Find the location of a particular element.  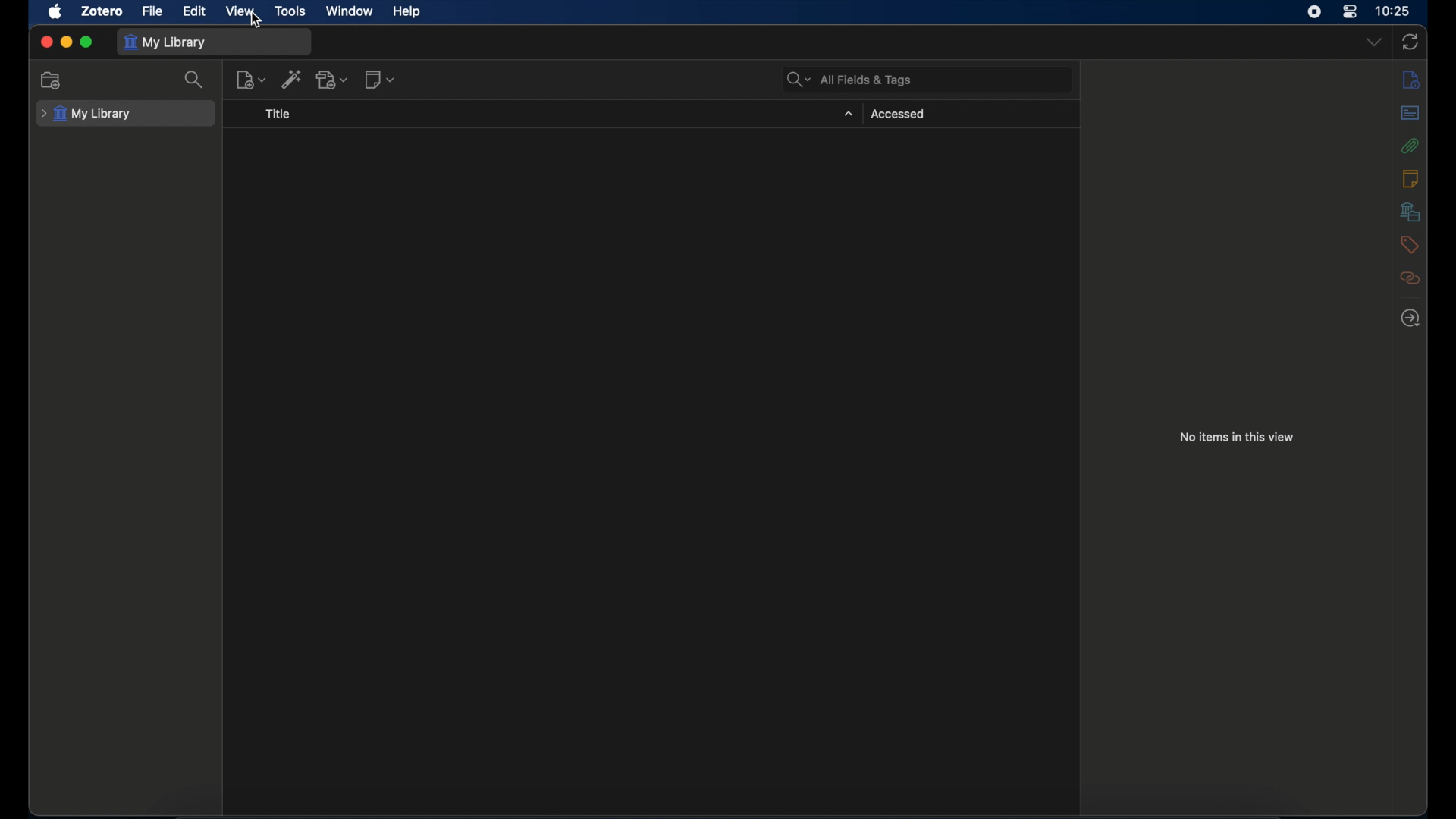

notes is located at coordinates (1410, 177).